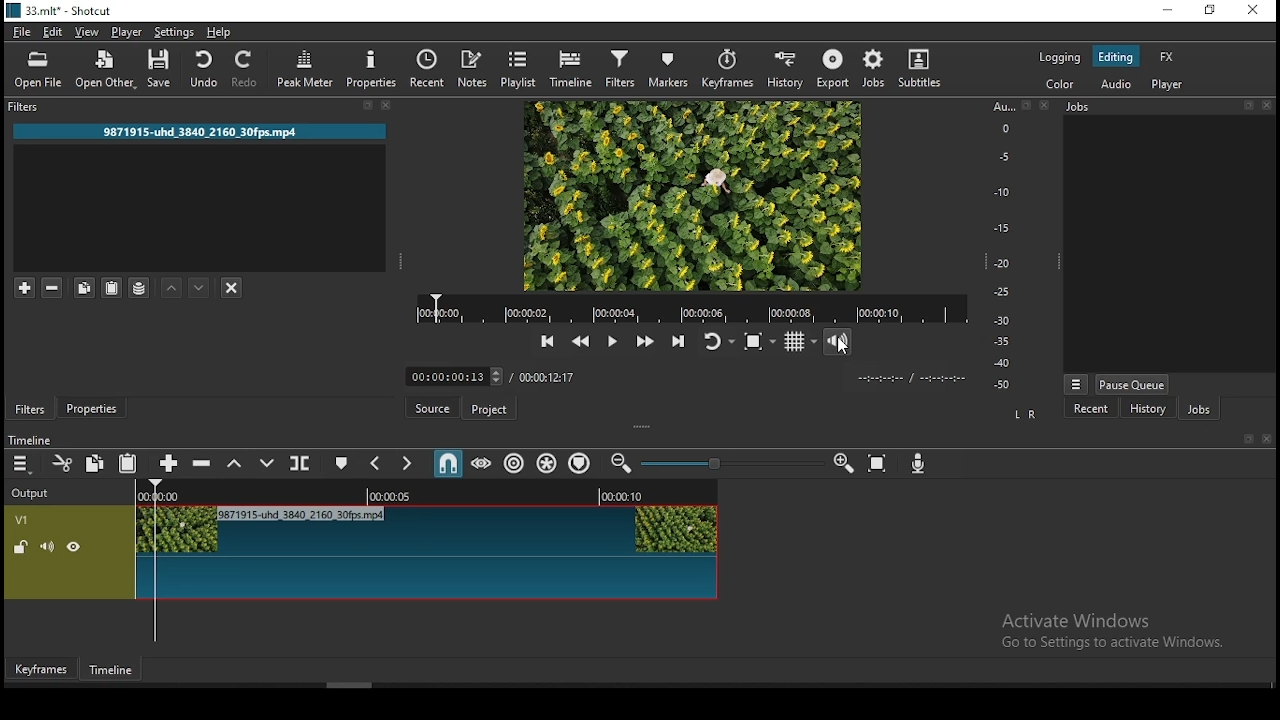  What do you see at coordinates (26, 288) in the screenshot?
I see `add a filter` at bounding box center [26, 288].